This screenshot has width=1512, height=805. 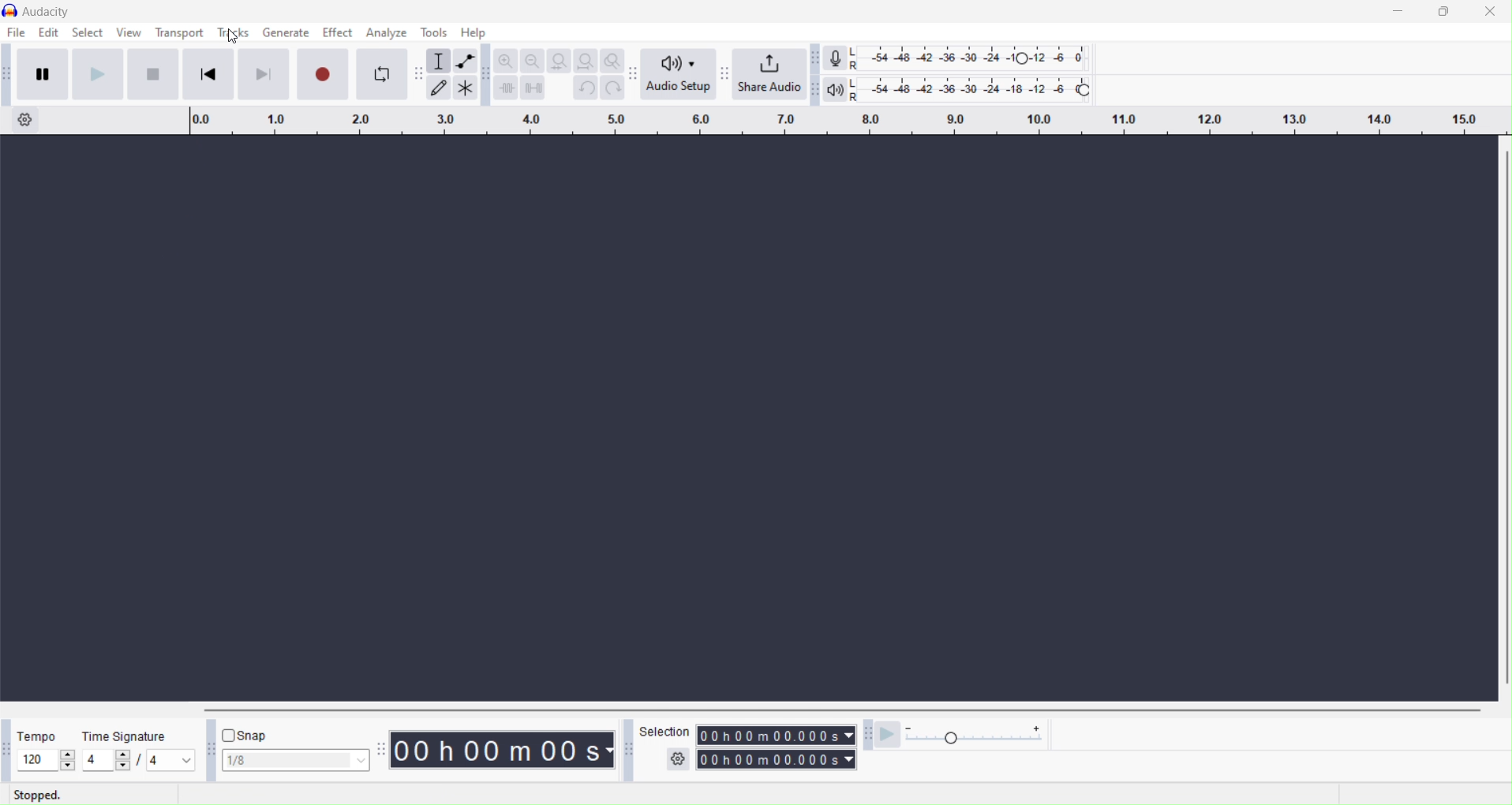 I want to click on Help, so click(x=473, y=32).